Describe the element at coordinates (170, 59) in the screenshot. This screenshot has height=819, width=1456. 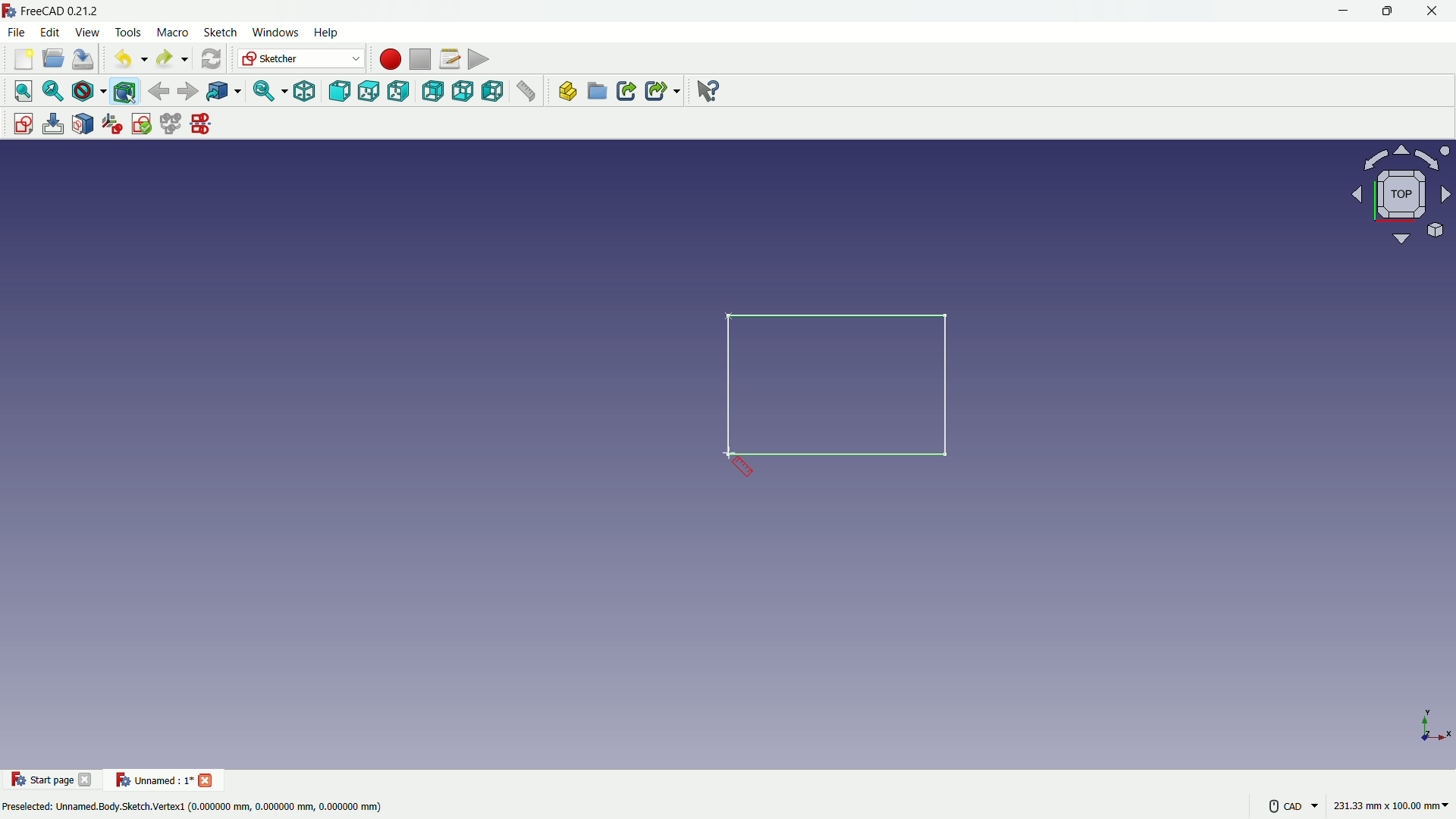
I see `redo` at that location.